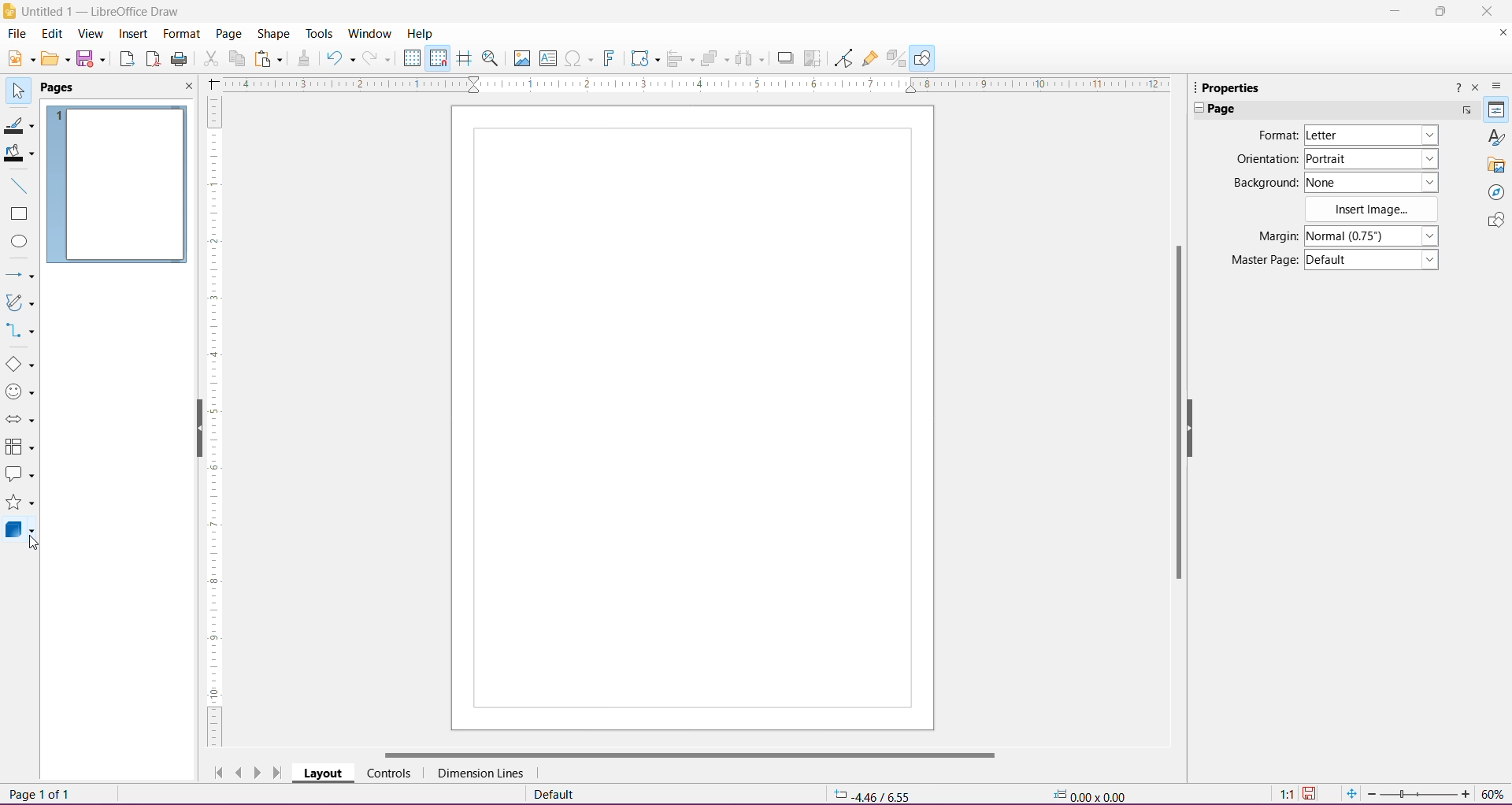 The image size is (1512, 805). What do you see at coordinates (388, 773) in the screenshot?
I see `Controls` at bounding box center [388, 773].